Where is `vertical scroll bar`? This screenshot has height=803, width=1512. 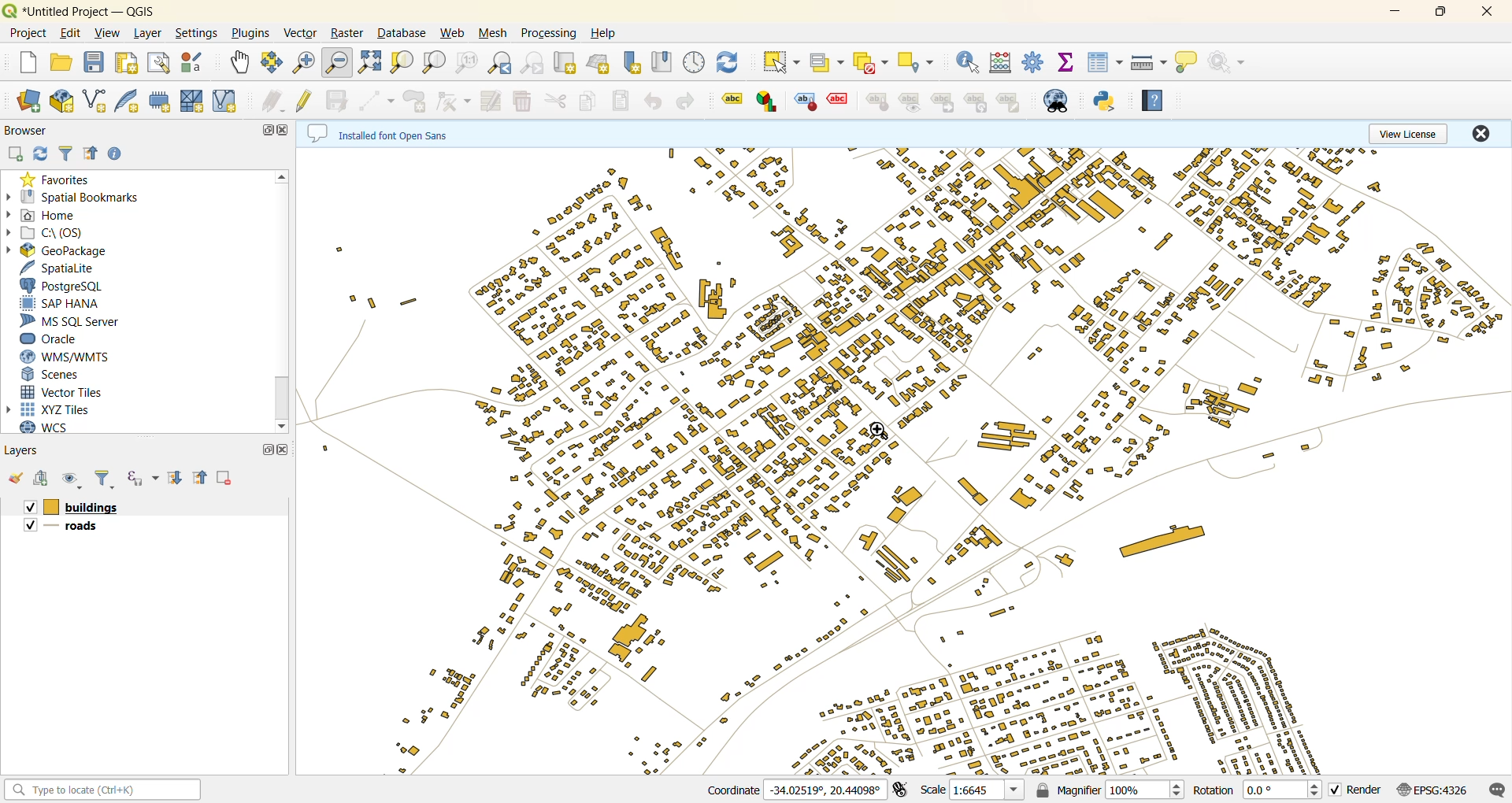
vertical scroll bar is located at coordinates (280, 301).